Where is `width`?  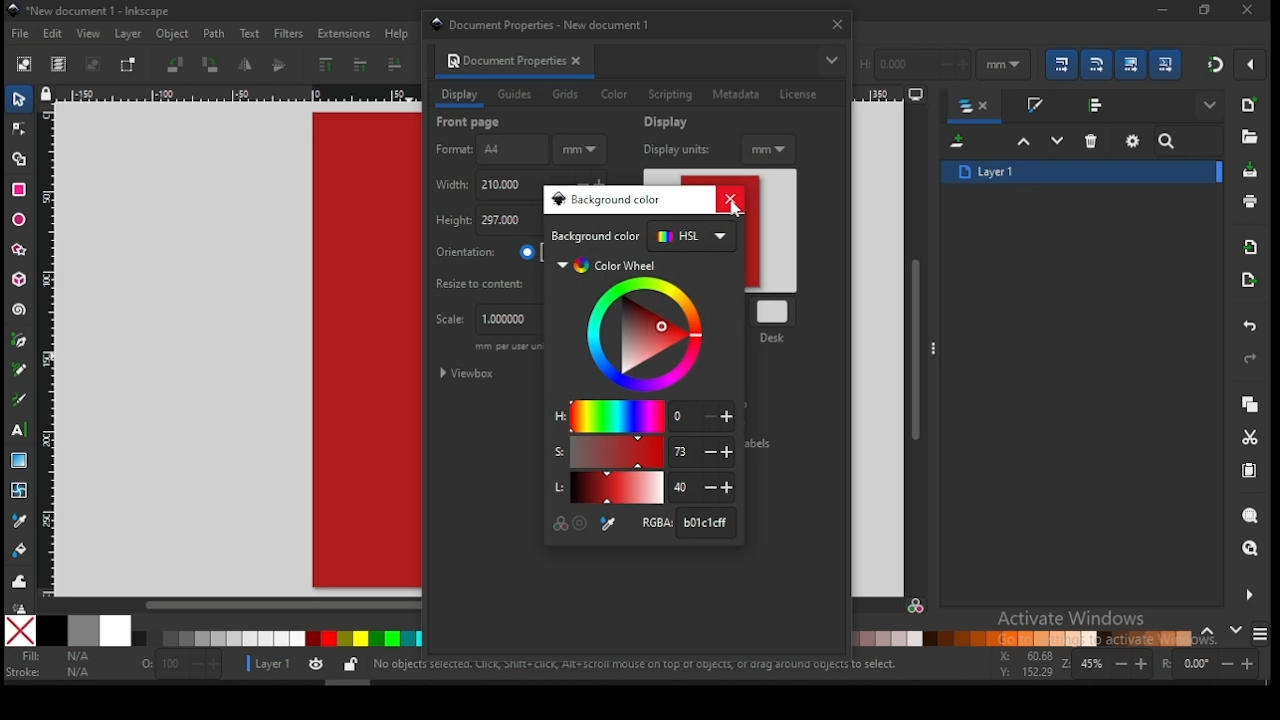 width is located at coordinates (486, 185).